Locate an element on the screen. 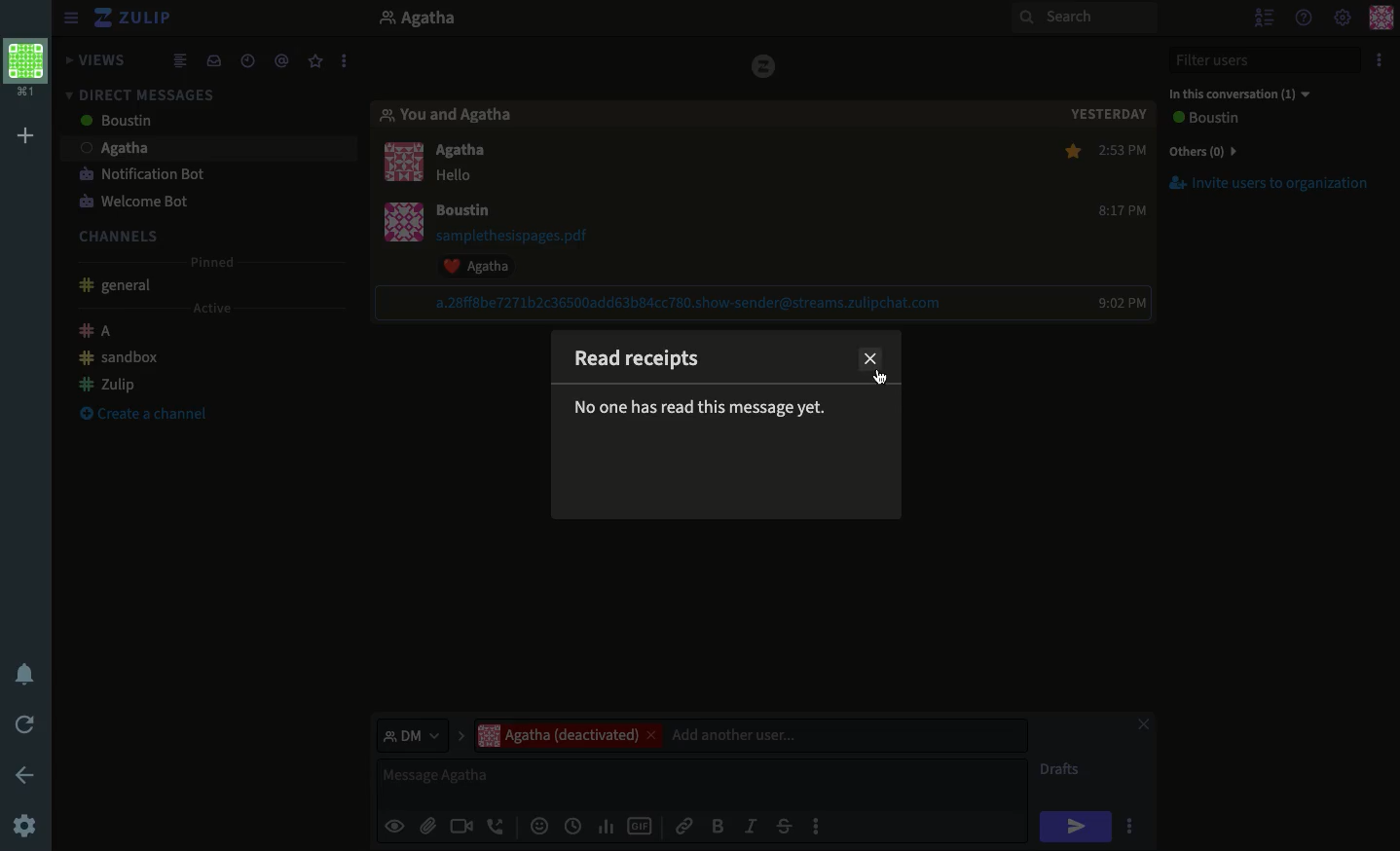 The image size is (1400, 851). pointer is located at coordinates (886, 381).